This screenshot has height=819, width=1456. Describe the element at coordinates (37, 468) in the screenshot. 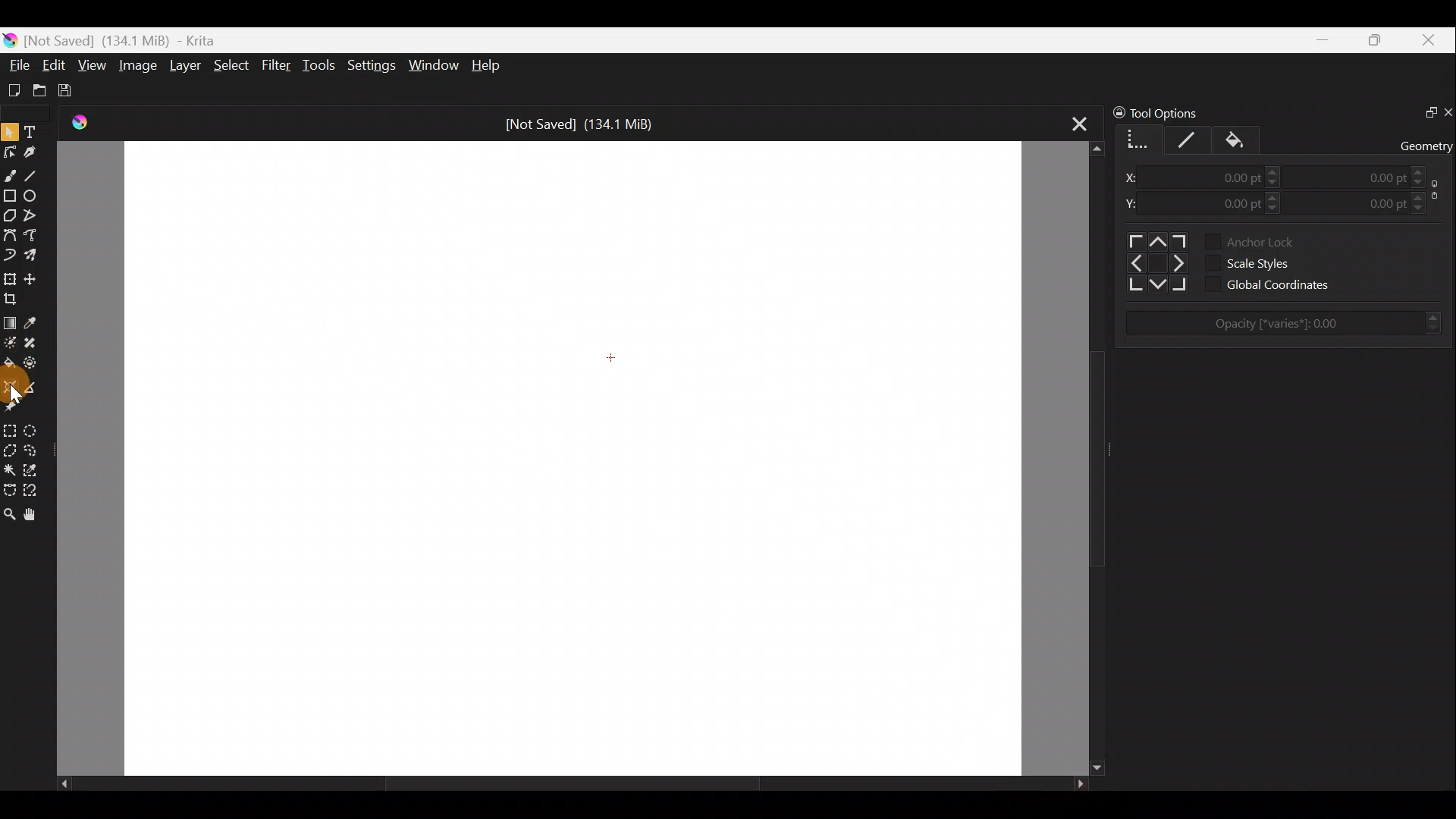

I see `Similar color selection tool` at that location.